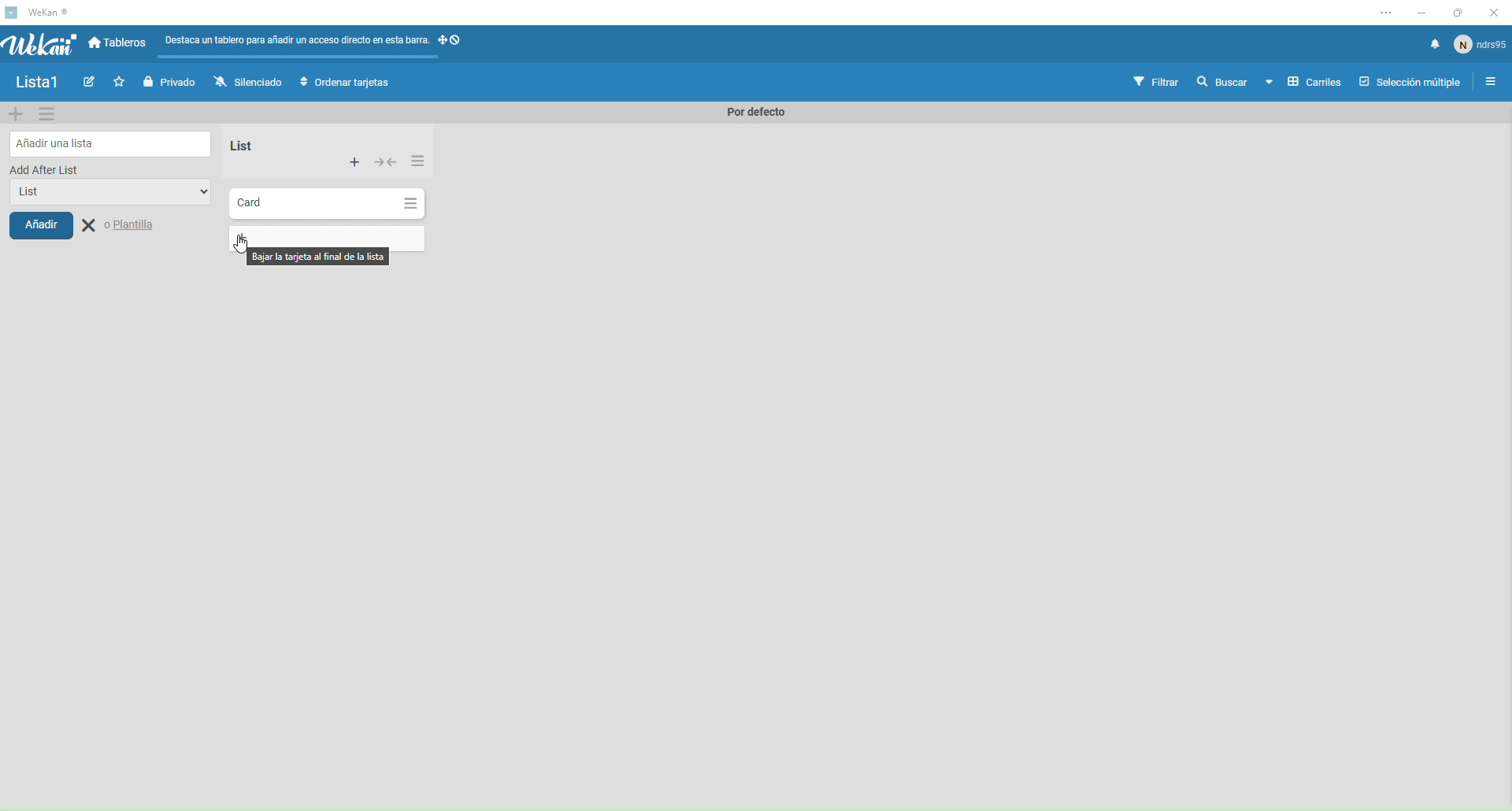 This screenshot has height=811, width=1512. What do you see at coordinates (112, 143) in the screenshot?
I see `Add a list` at bounding box center [112, 143].